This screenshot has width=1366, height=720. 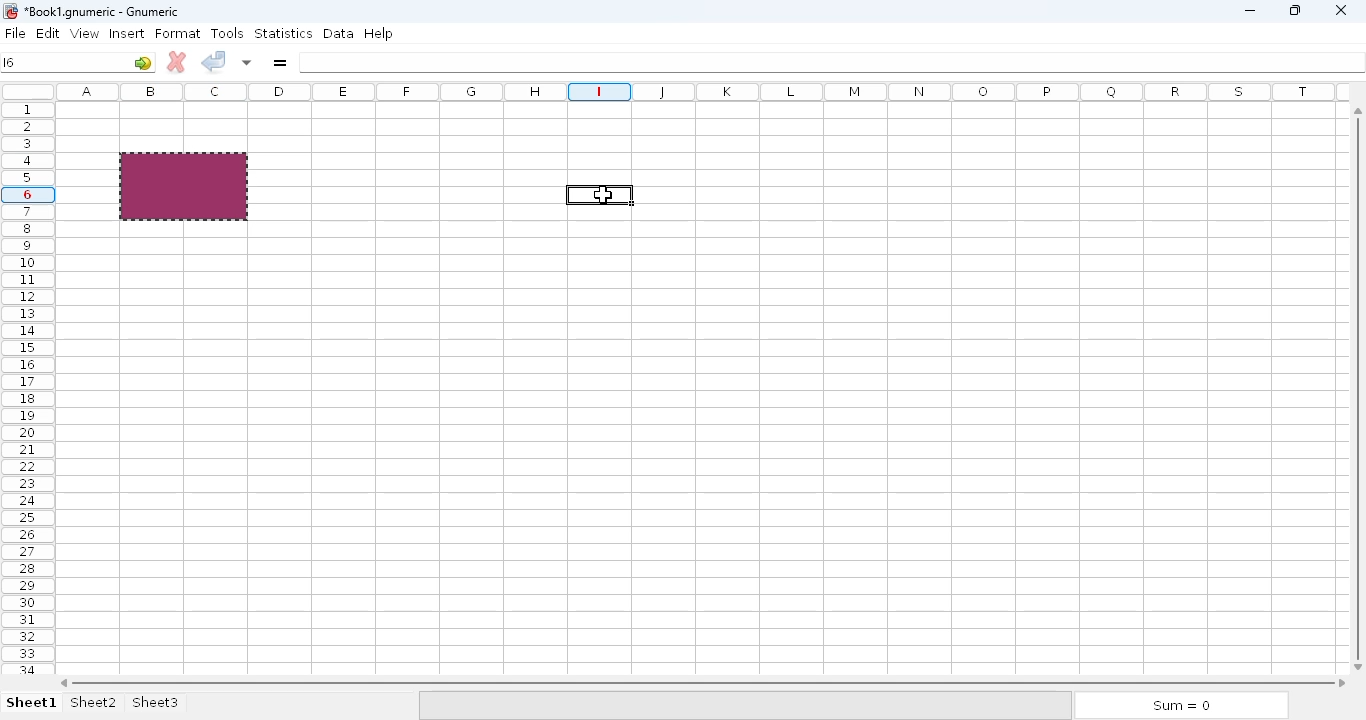 What do you see at coordinates (102, 12) in the screenshot?
I see `Book1 numeric - Gnumeric` at bounding box center [102, 12].